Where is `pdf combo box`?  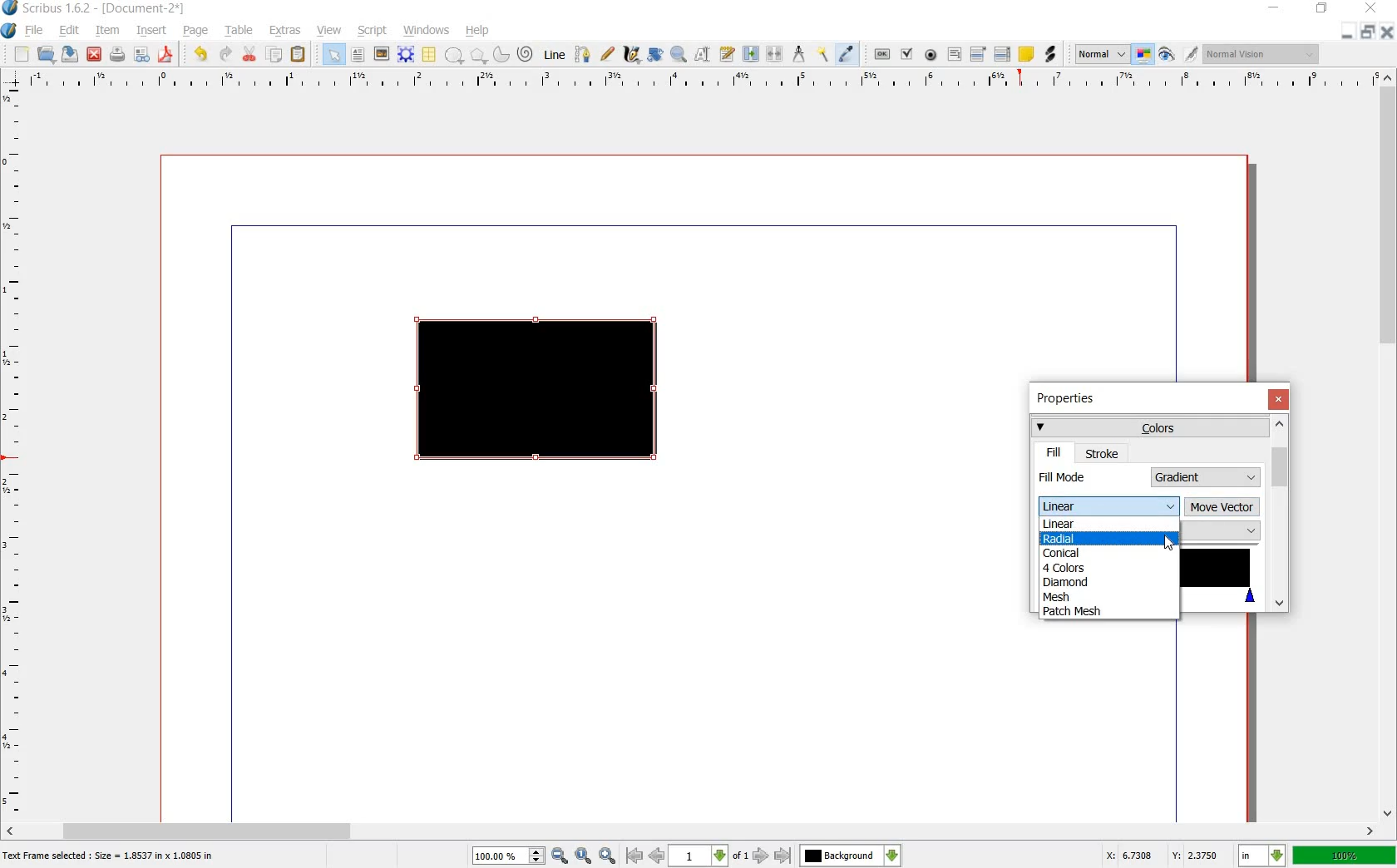 pdf combo box is located at coordinates (979, 53).